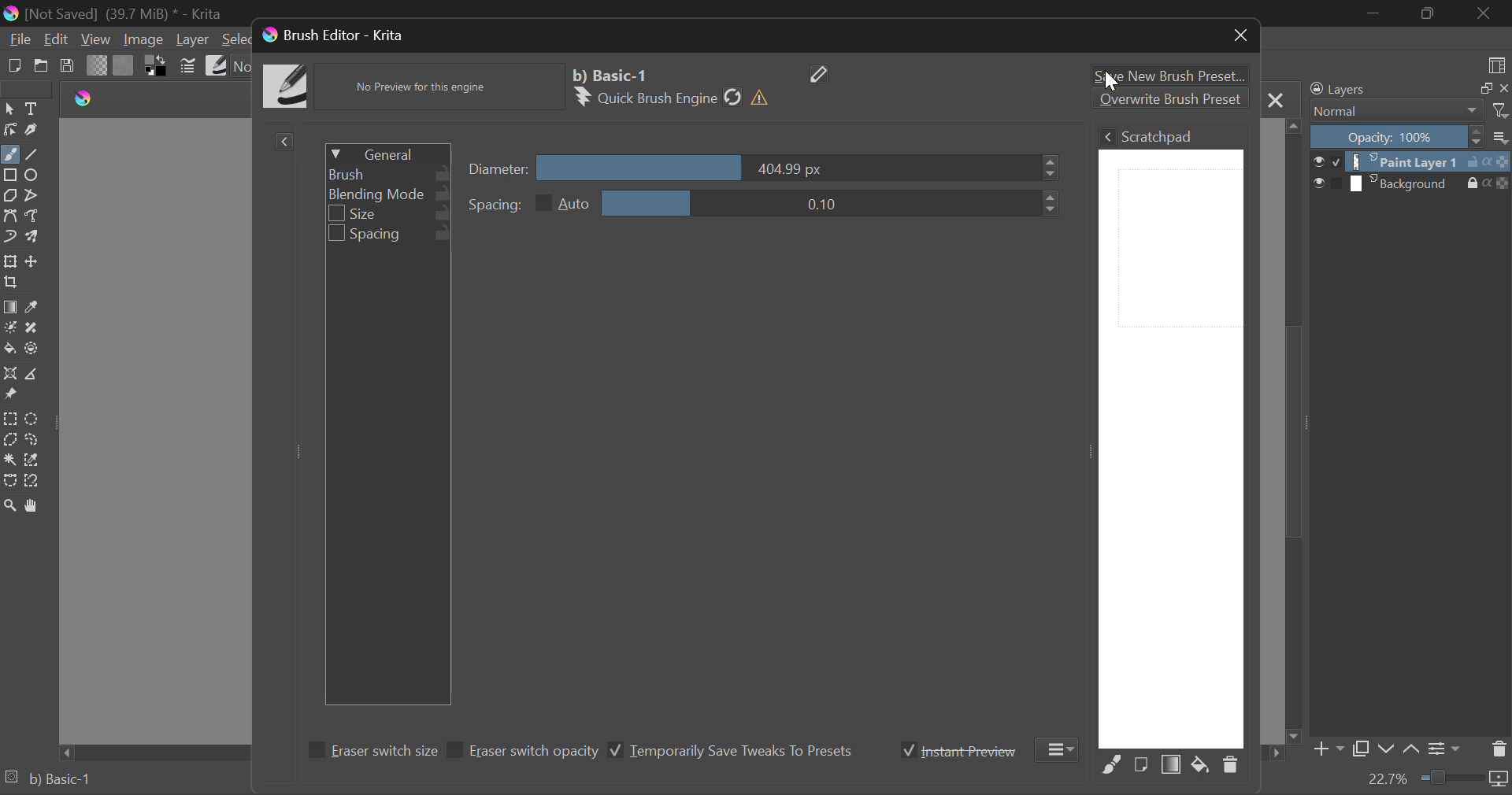 The height and width of the screenshot is (795, 1512). Describe the element at coordinates (1388, 749) in the screenshot. I see `Move Layer Down` at that location.